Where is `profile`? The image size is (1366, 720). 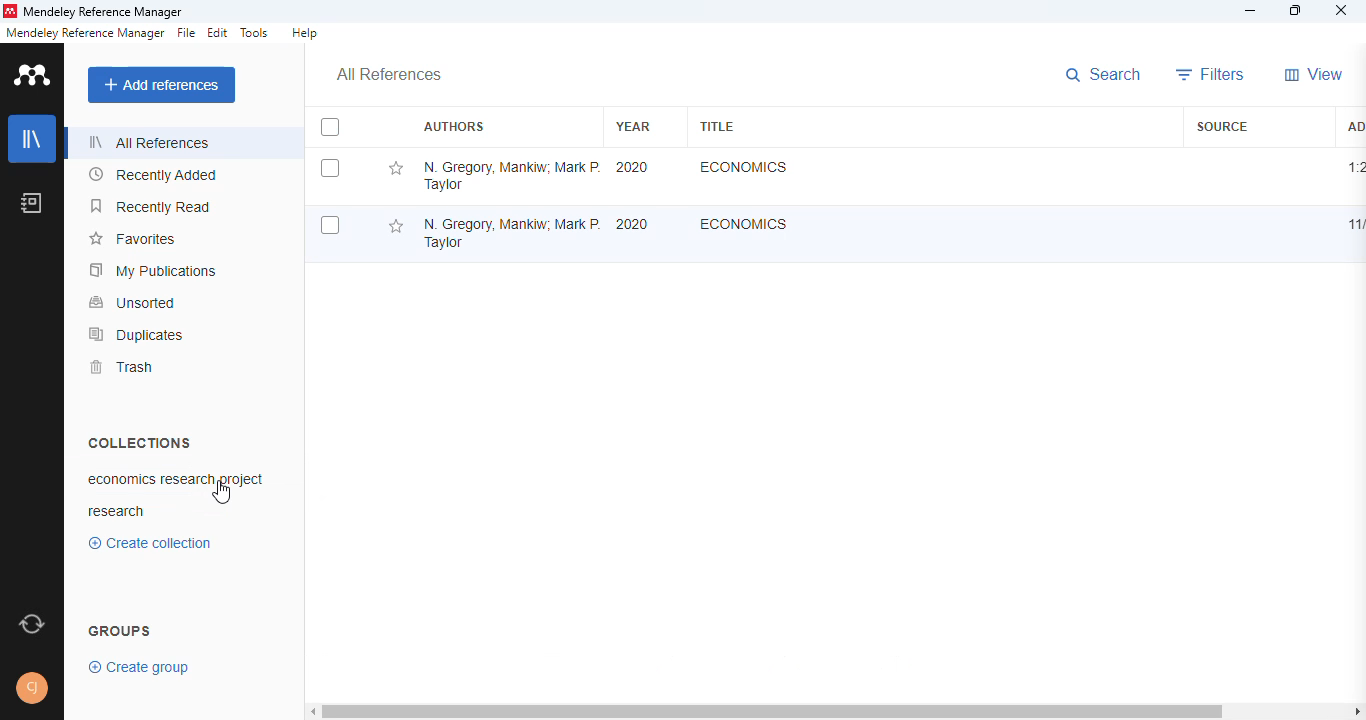 profile is located at coordinates (34, 688).